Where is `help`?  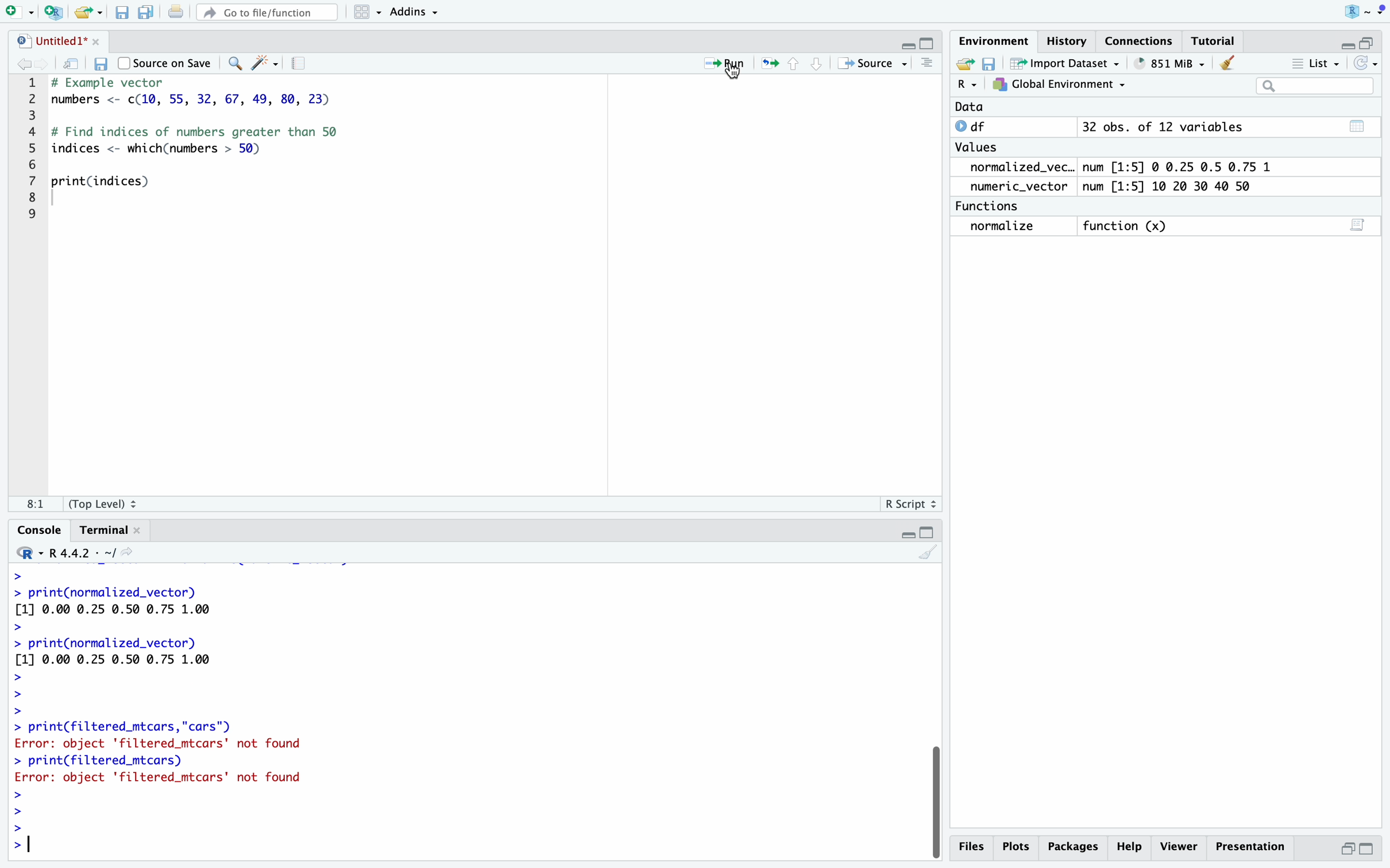
help is located at coordinates (1132, 846).